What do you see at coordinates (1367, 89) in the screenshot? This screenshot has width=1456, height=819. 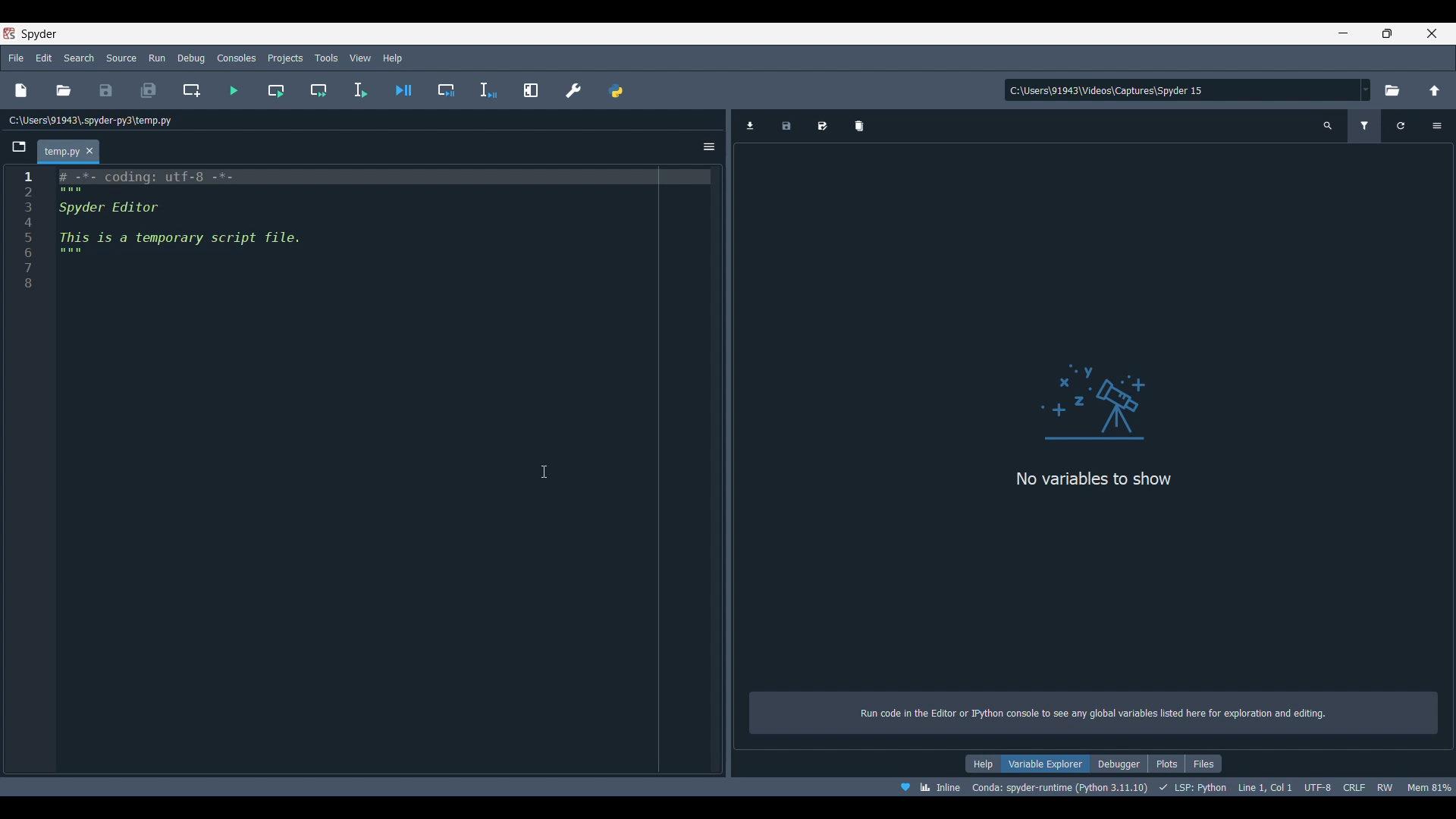 I see `Options for location` at bounding box center [1367, 89].